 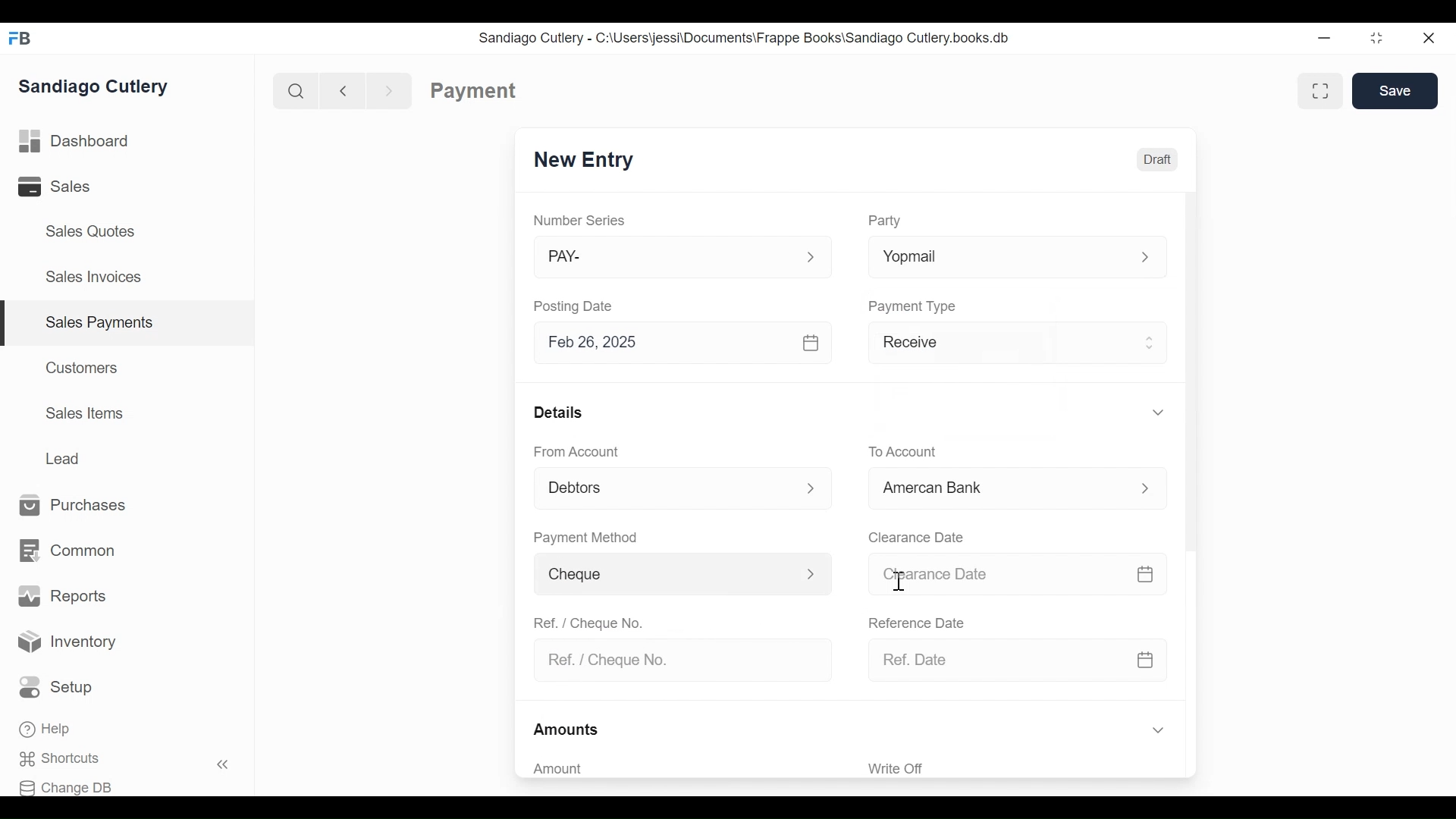 I want to click on Restore, so click(x=1376, y=39).